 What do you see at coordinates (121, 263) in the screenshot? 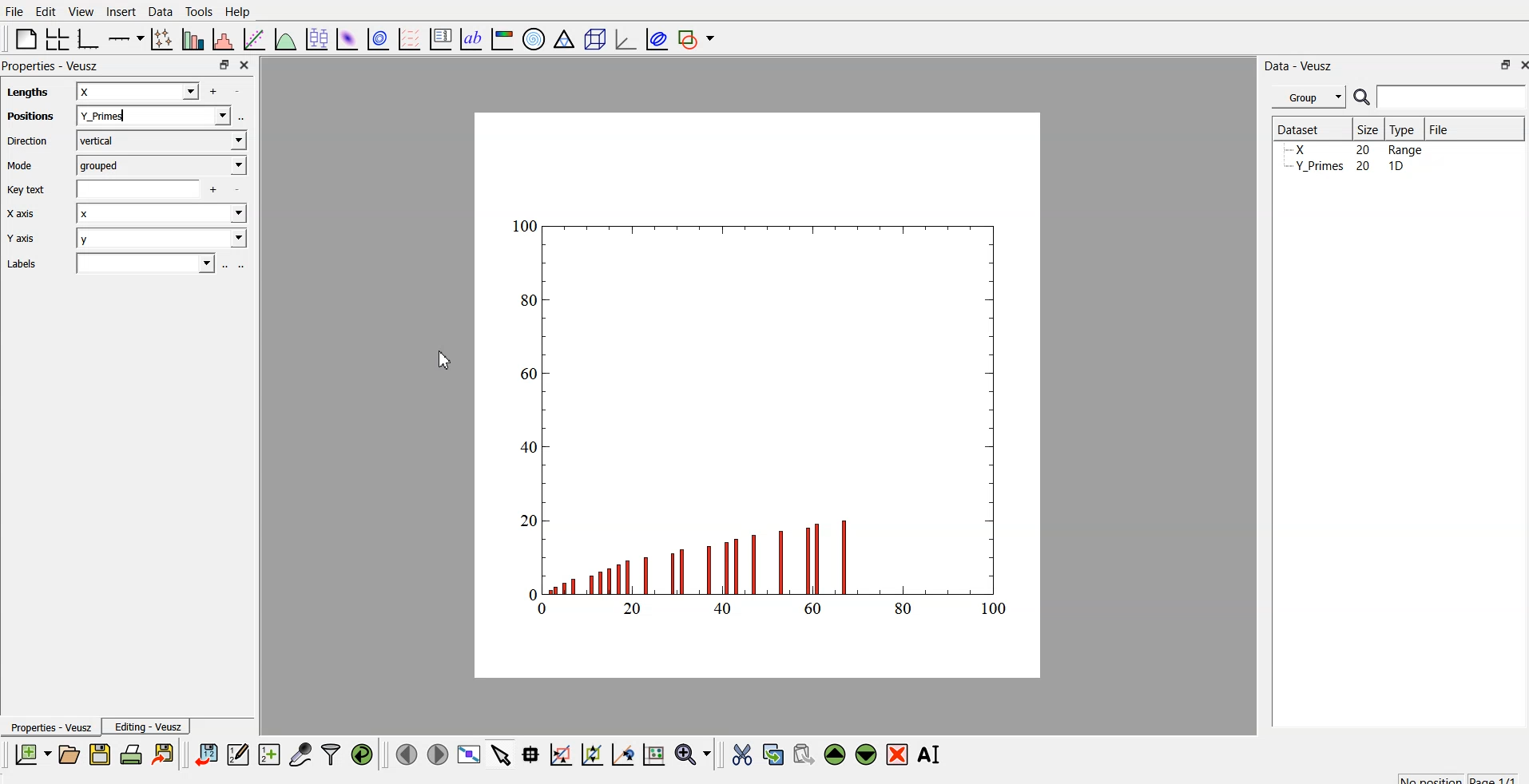
I see `Labels` at bounding box center [121, 263].